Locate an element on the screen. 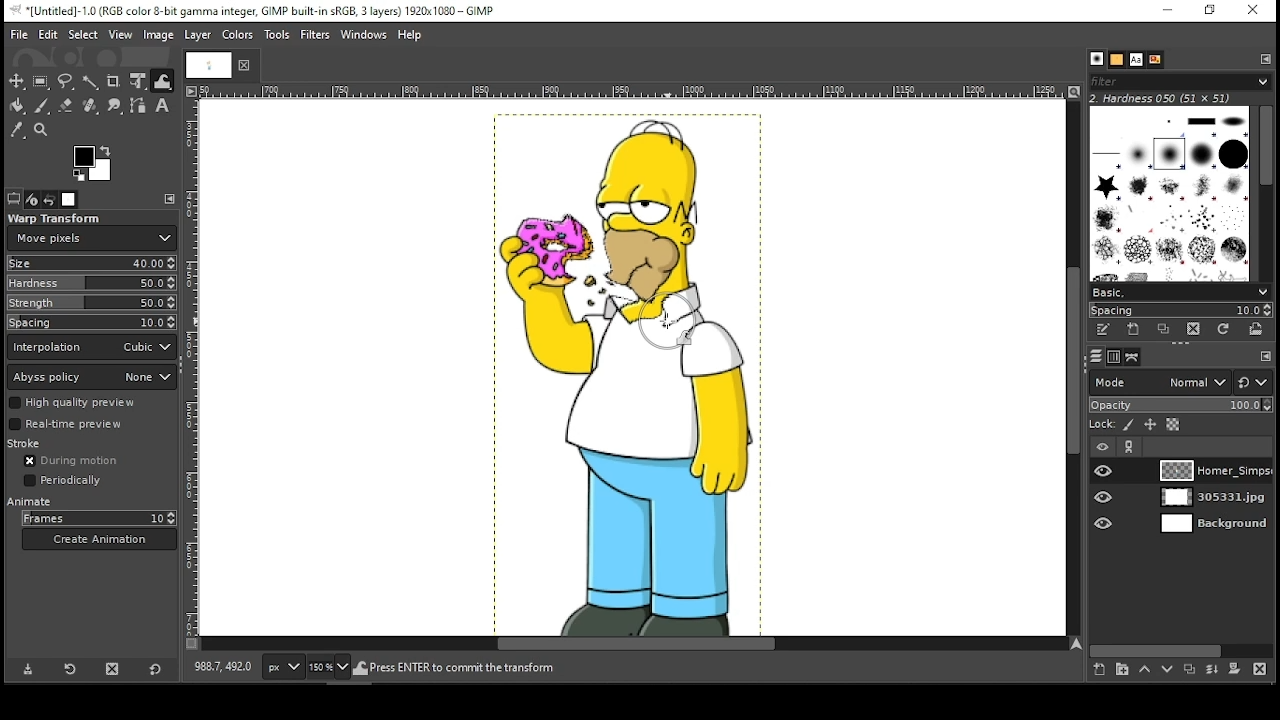 The height and width of the screenshot is (720, 1280). lock alpha channel is located at coordinates (1172, 424).